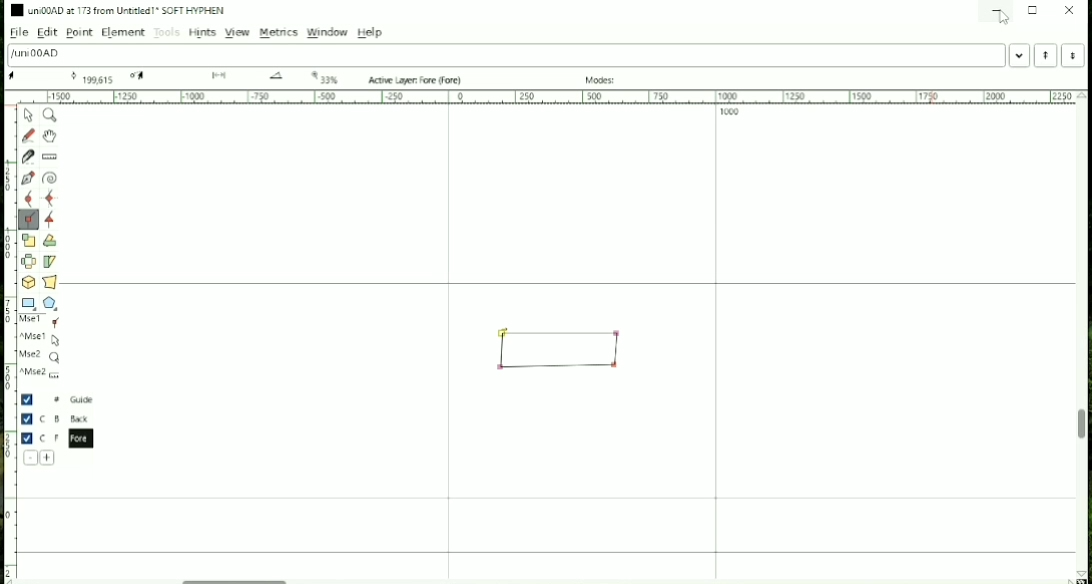  I want to click on Horizontal scrollbar, so click(240, 578).